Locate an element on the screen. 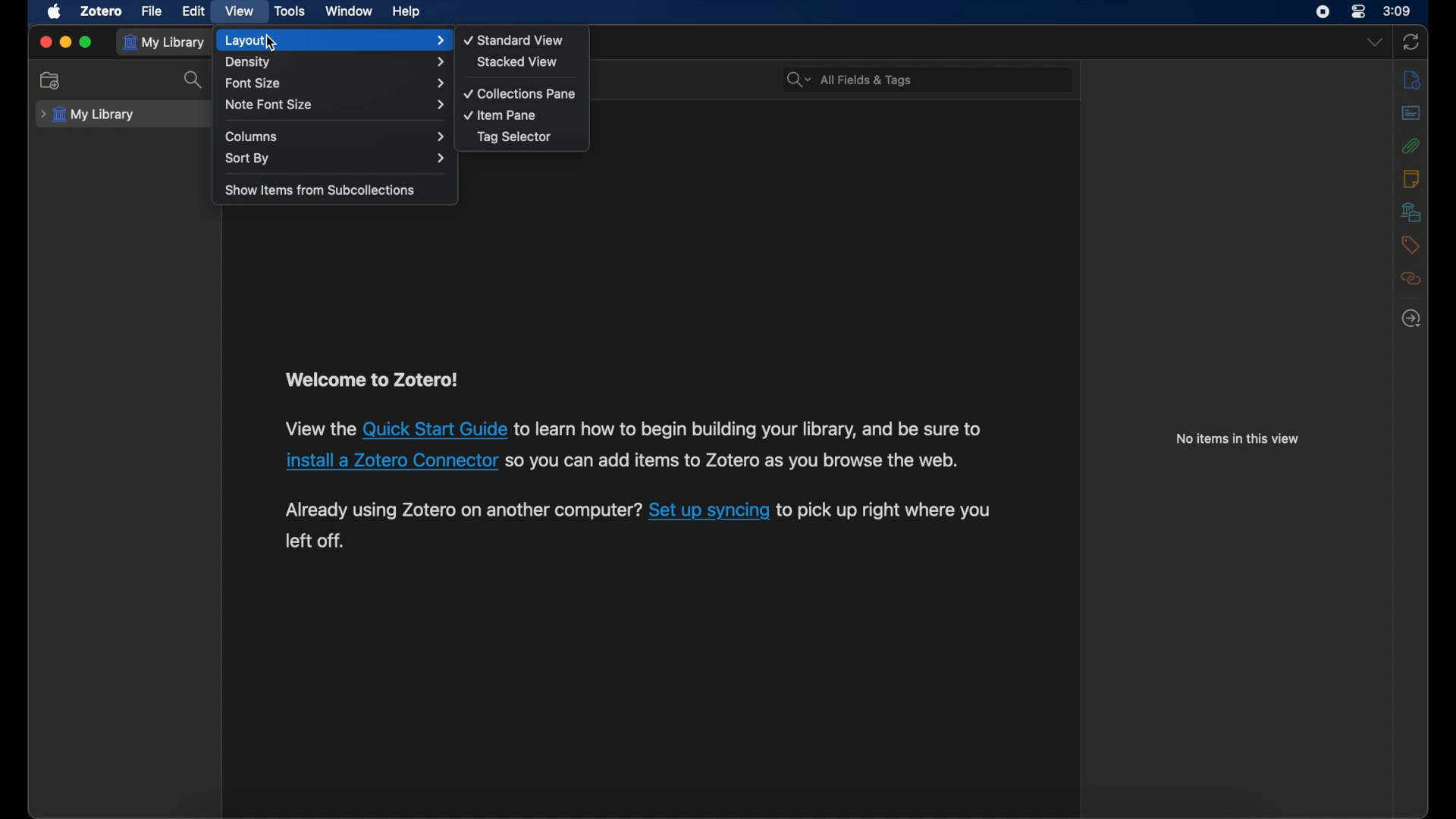 The image size is (1456, 819). control center is located at coordinates (1359, 12).